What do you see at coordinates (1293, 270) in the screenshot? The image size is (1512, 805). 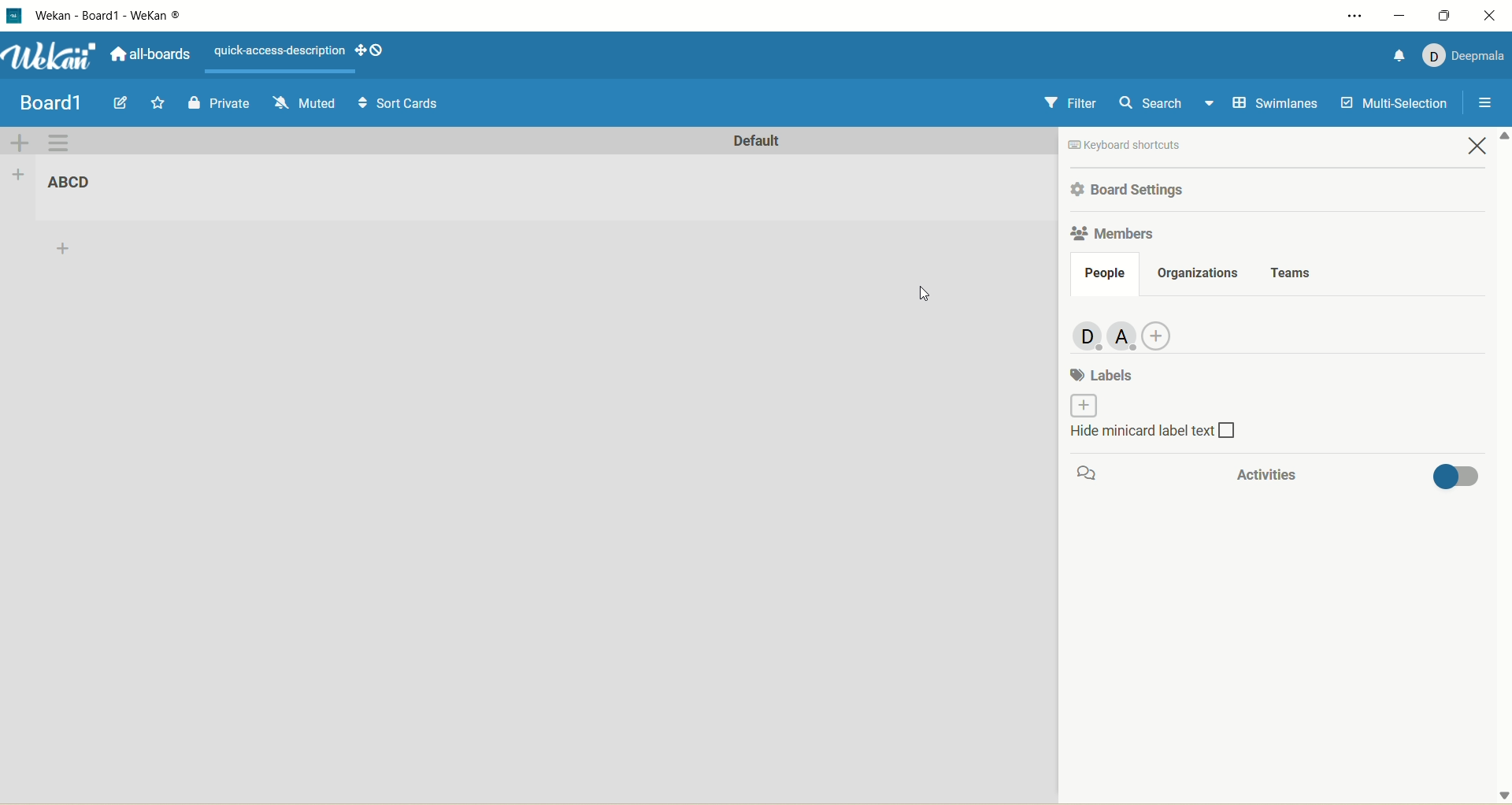 I see `teams` at bounding box center [1293, 270].